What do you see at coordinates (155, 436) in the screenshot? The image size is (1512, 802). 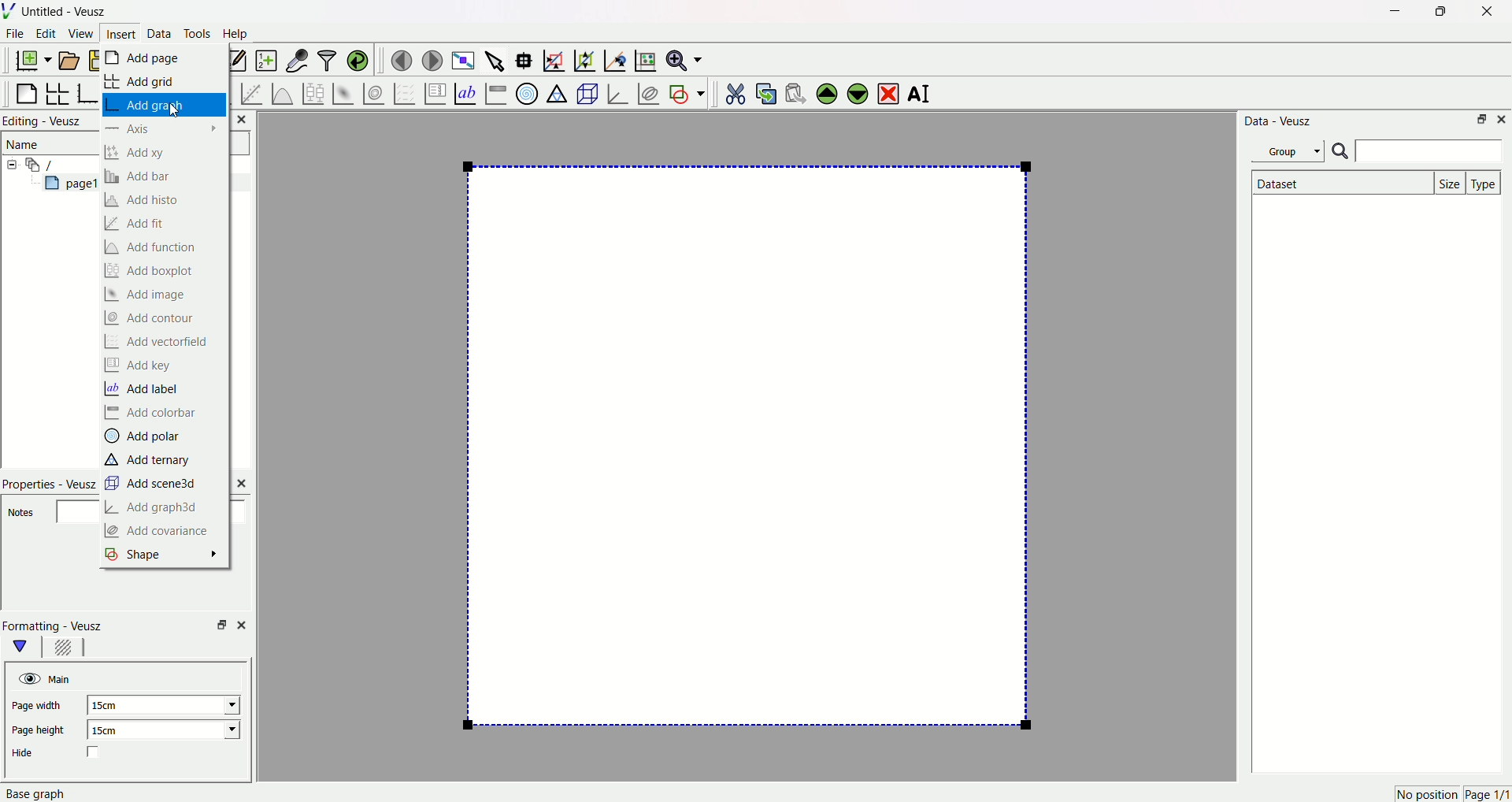 I see `Add polar` at bounding box center [155, 436].